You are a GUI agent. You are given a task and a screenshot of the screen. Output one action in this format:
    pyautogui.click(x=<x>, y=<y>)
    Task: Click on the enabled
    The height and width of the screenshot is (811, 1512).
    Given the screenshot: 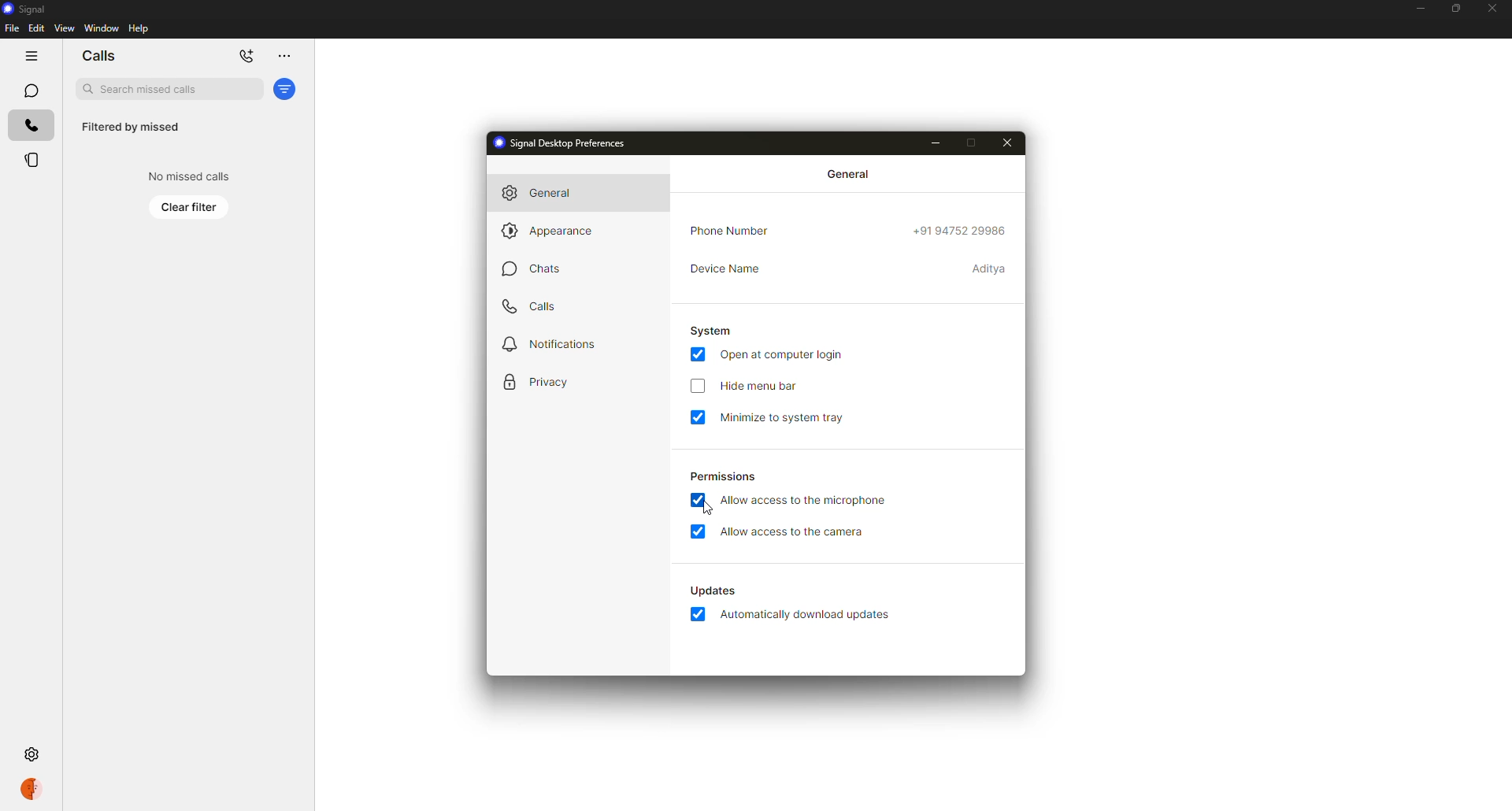 What is the action you would take?
    pyautogui.click(x=700, y=531)
    